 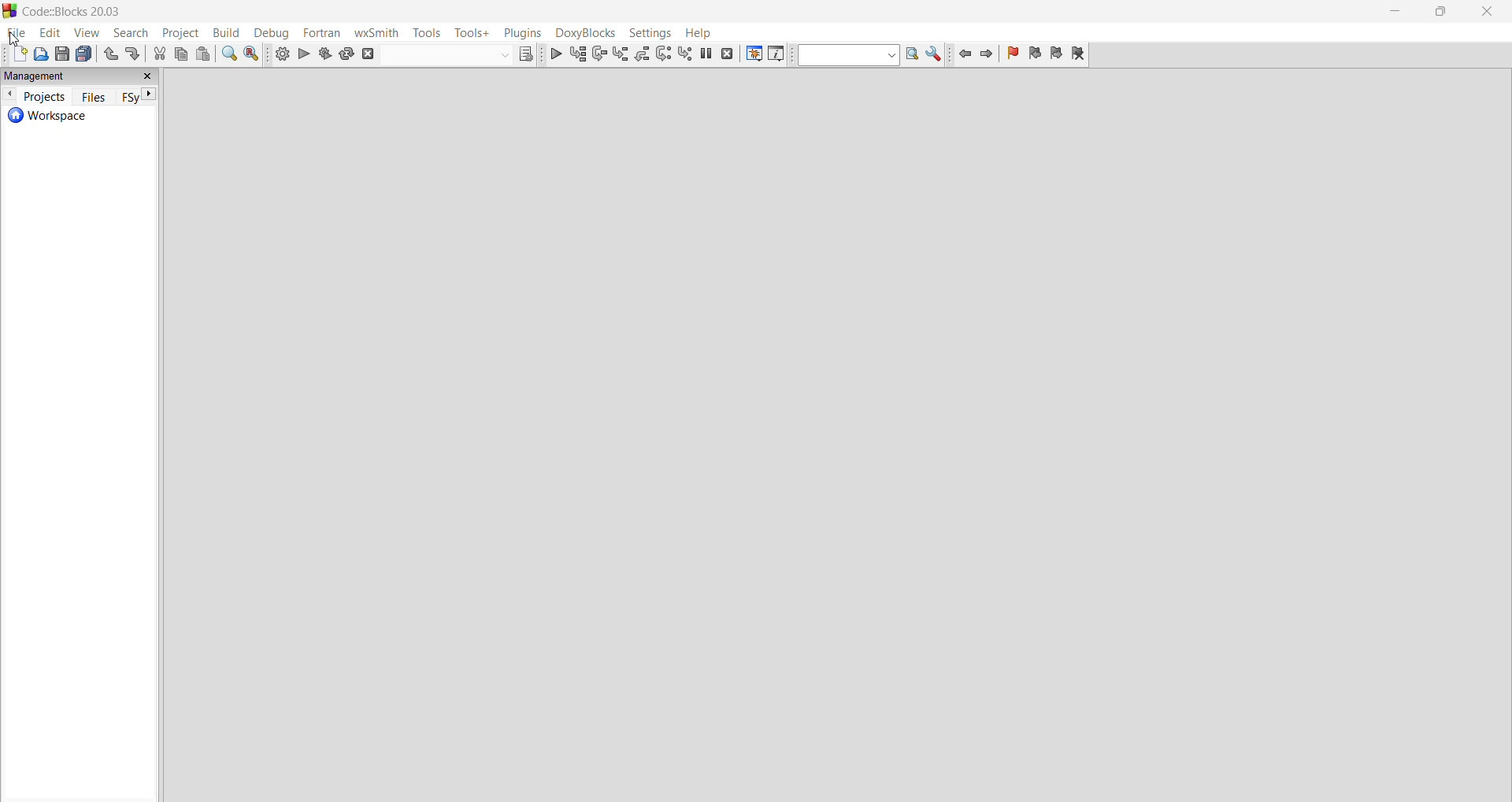 What do you see at coordinates (109, 54) in the screenshot?
I see `undo` at bounding box center [109, 54].